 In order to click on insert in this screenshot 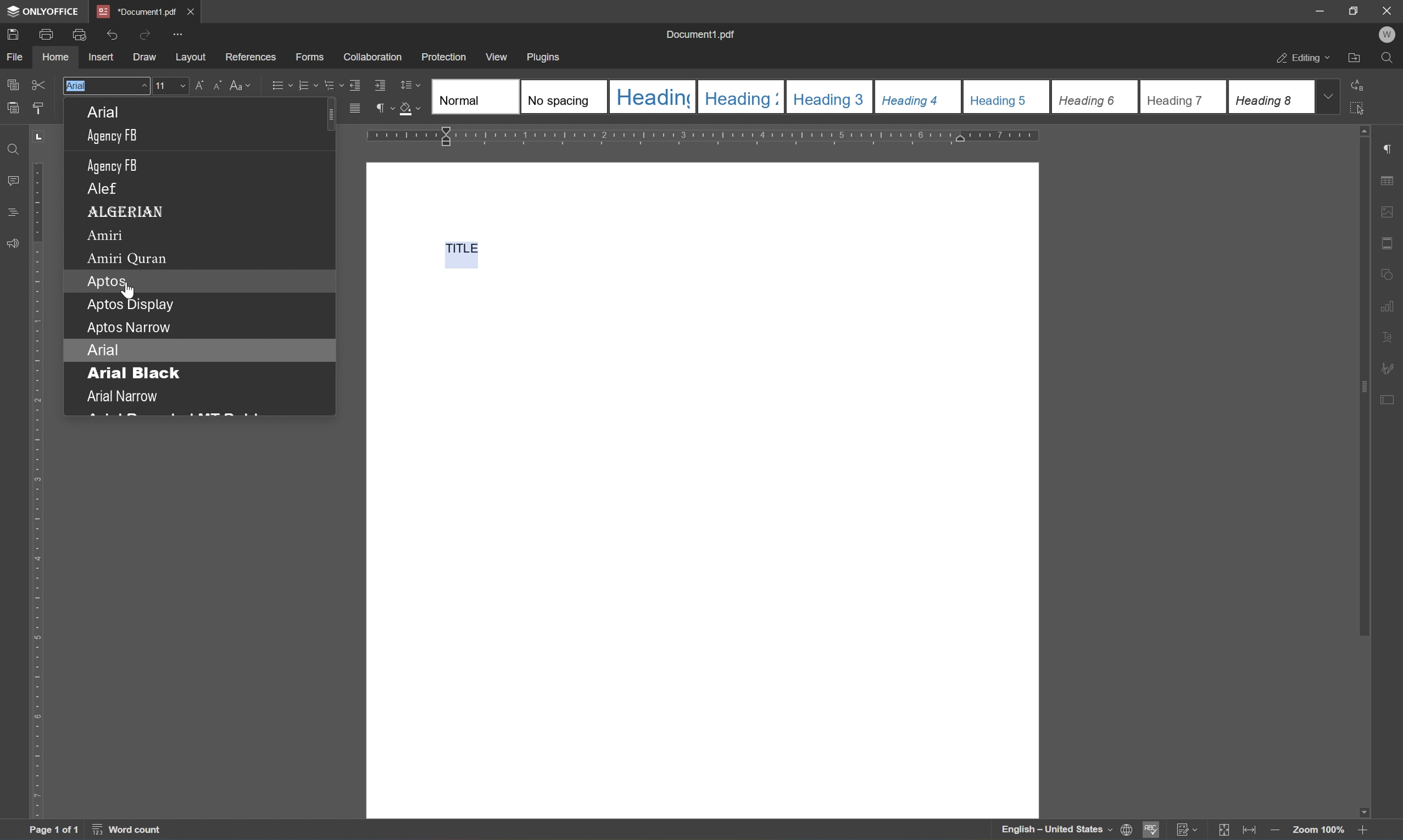, I will do `click(101, 56)`.